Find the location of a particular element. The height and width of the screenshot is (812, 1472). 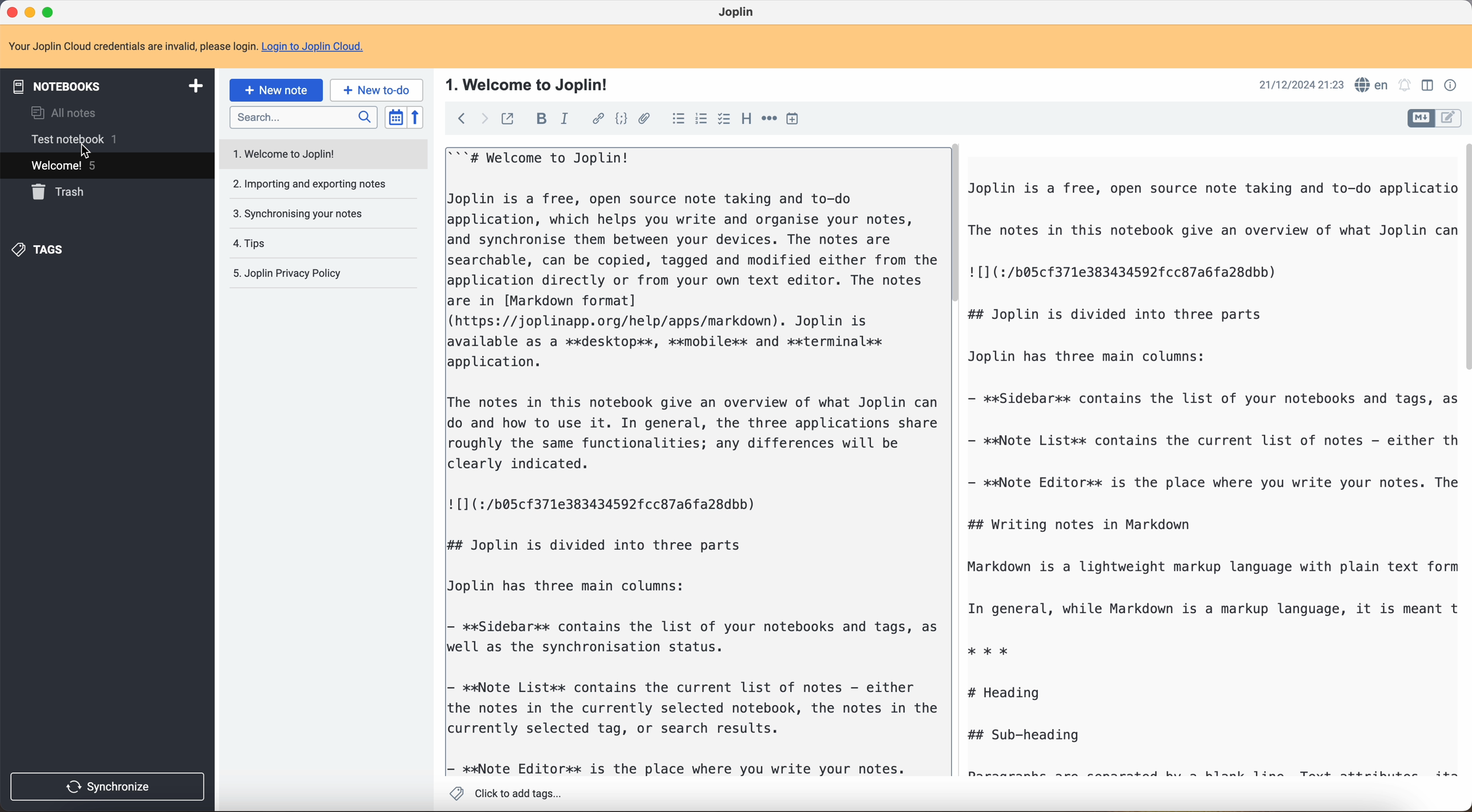

new to-do is located at coordinates (376, 89).